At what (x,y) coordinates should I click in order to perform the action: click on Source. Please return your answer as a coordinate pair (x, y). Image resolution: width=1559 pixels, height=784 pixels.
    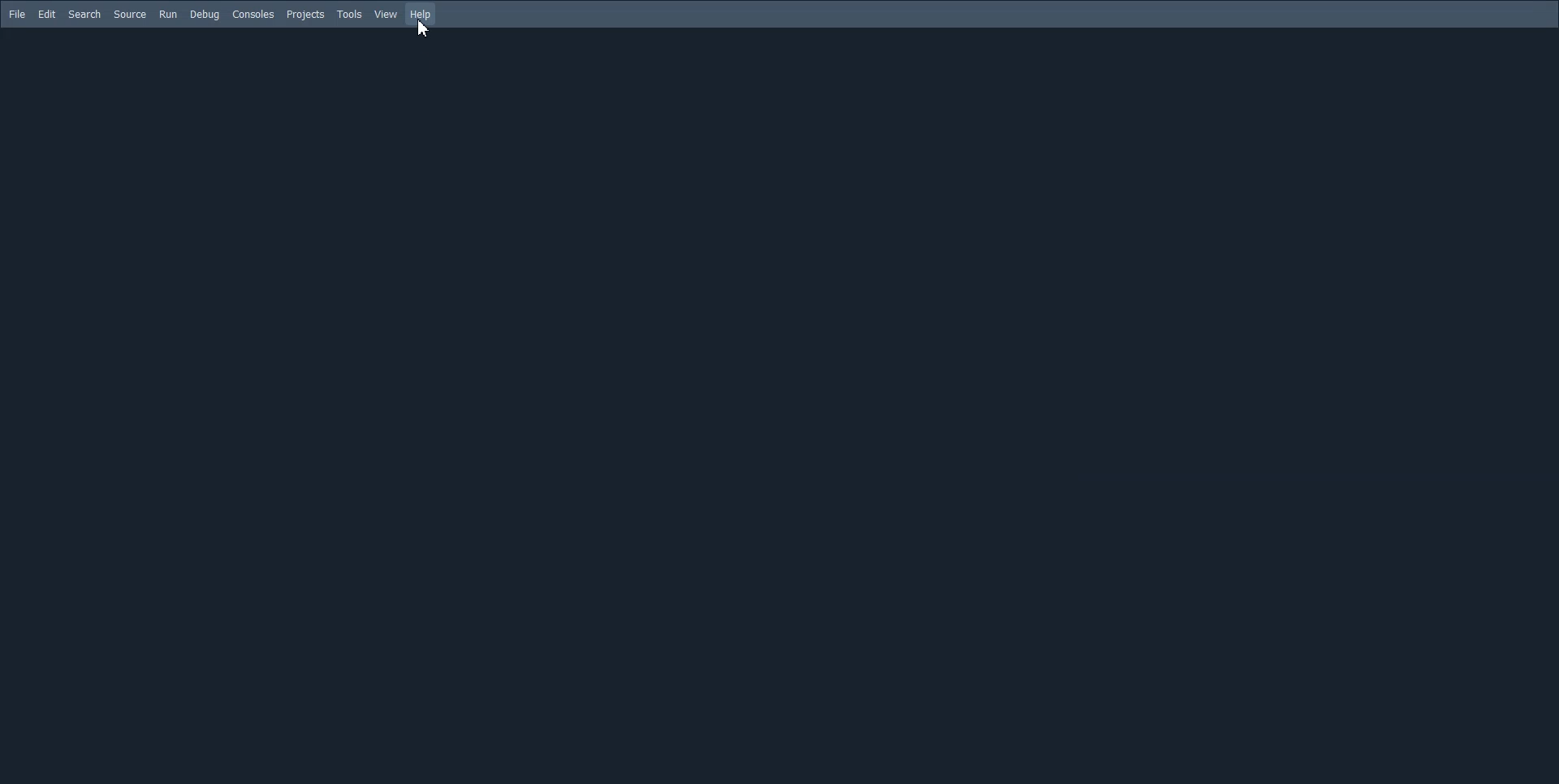
    Looking at the image, I should click on (130, 15).